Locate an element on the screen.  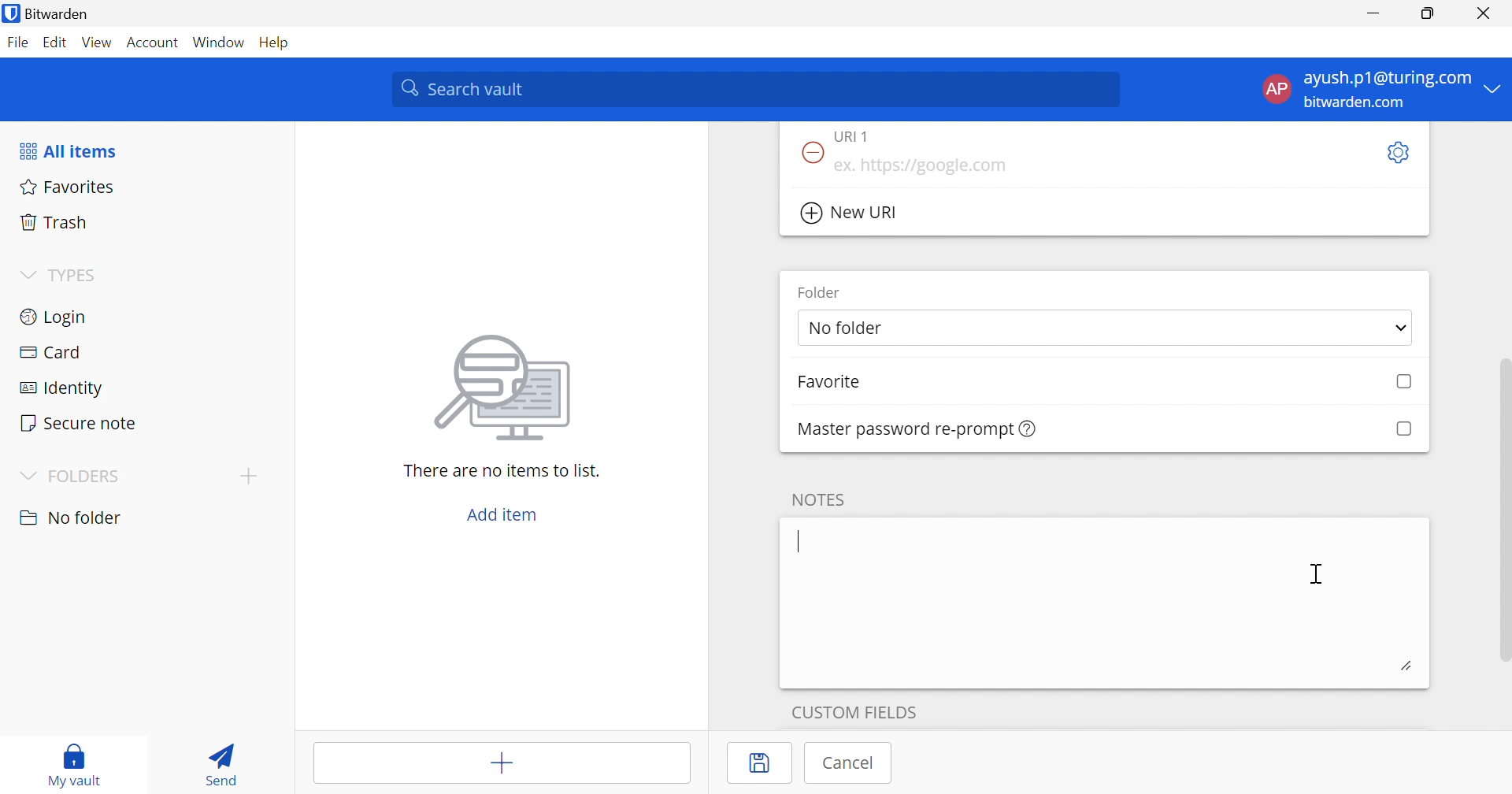
AP is located at coordinates (1275, 92).